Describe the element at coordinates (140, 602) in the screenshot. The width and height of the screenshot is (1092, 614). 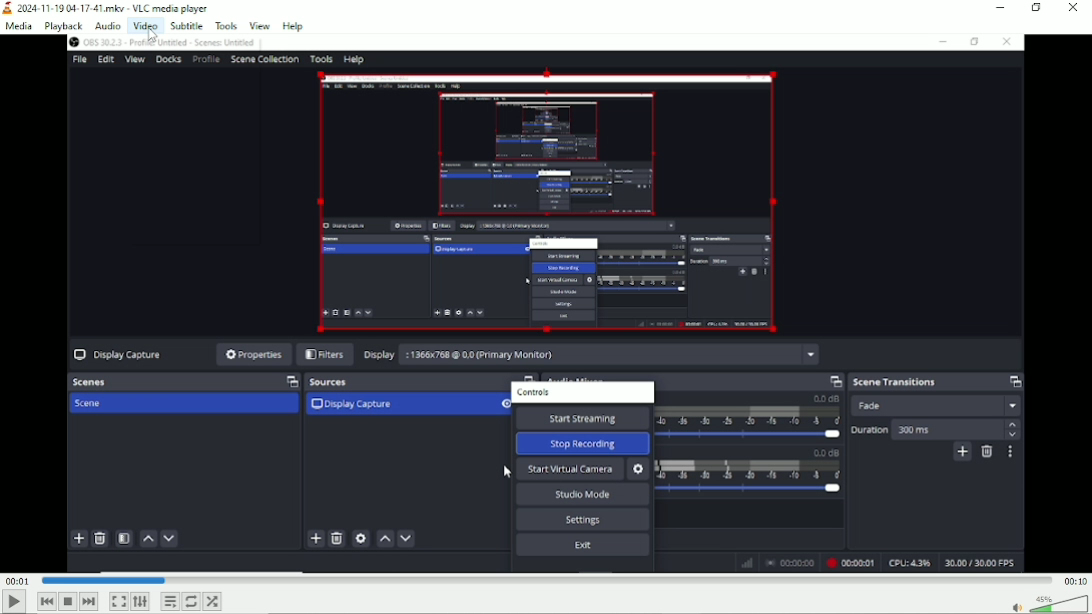
I see `Show extended settings` at that location.